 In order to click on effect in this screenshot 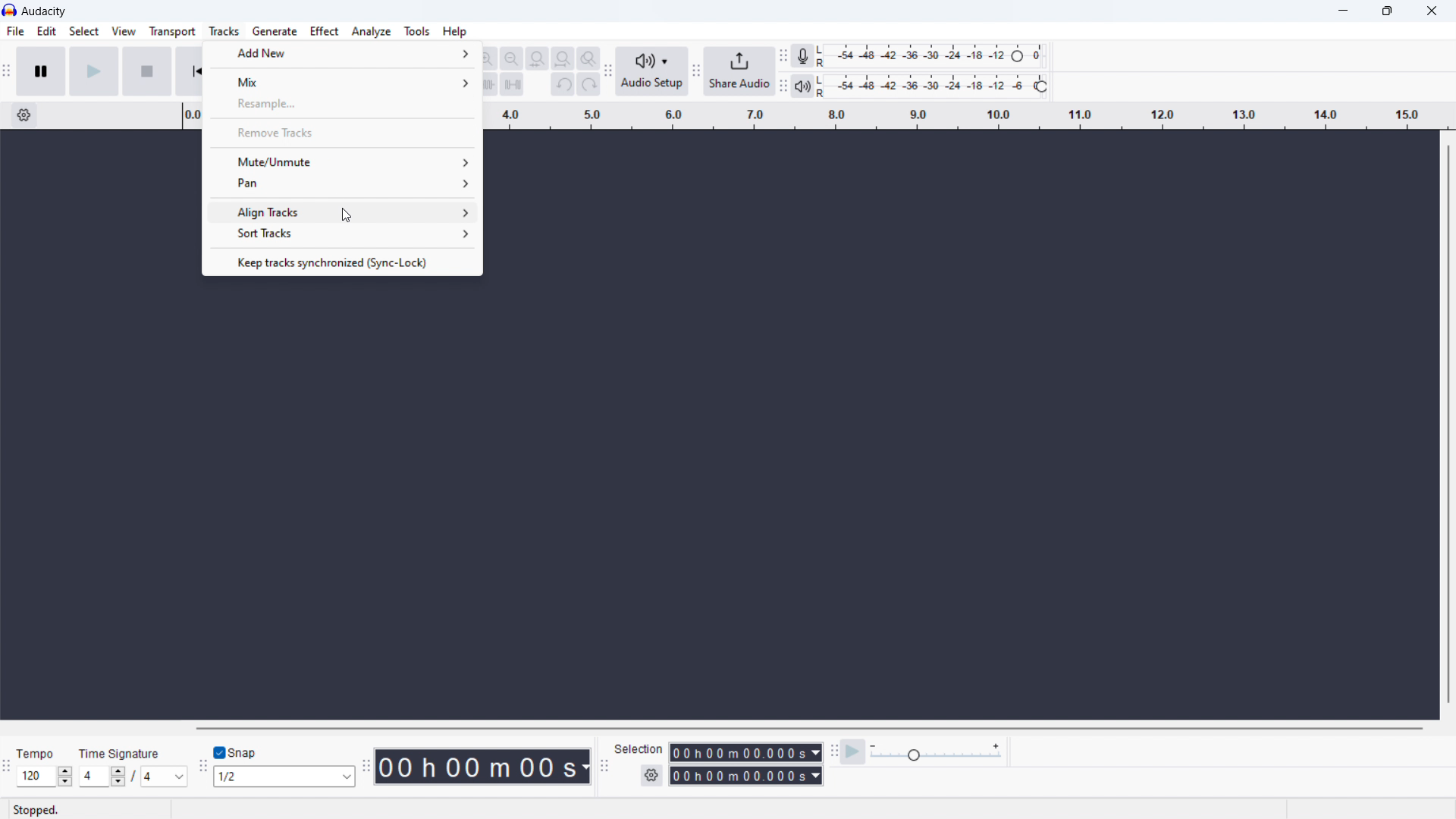, I will do `click(324, 31)`.